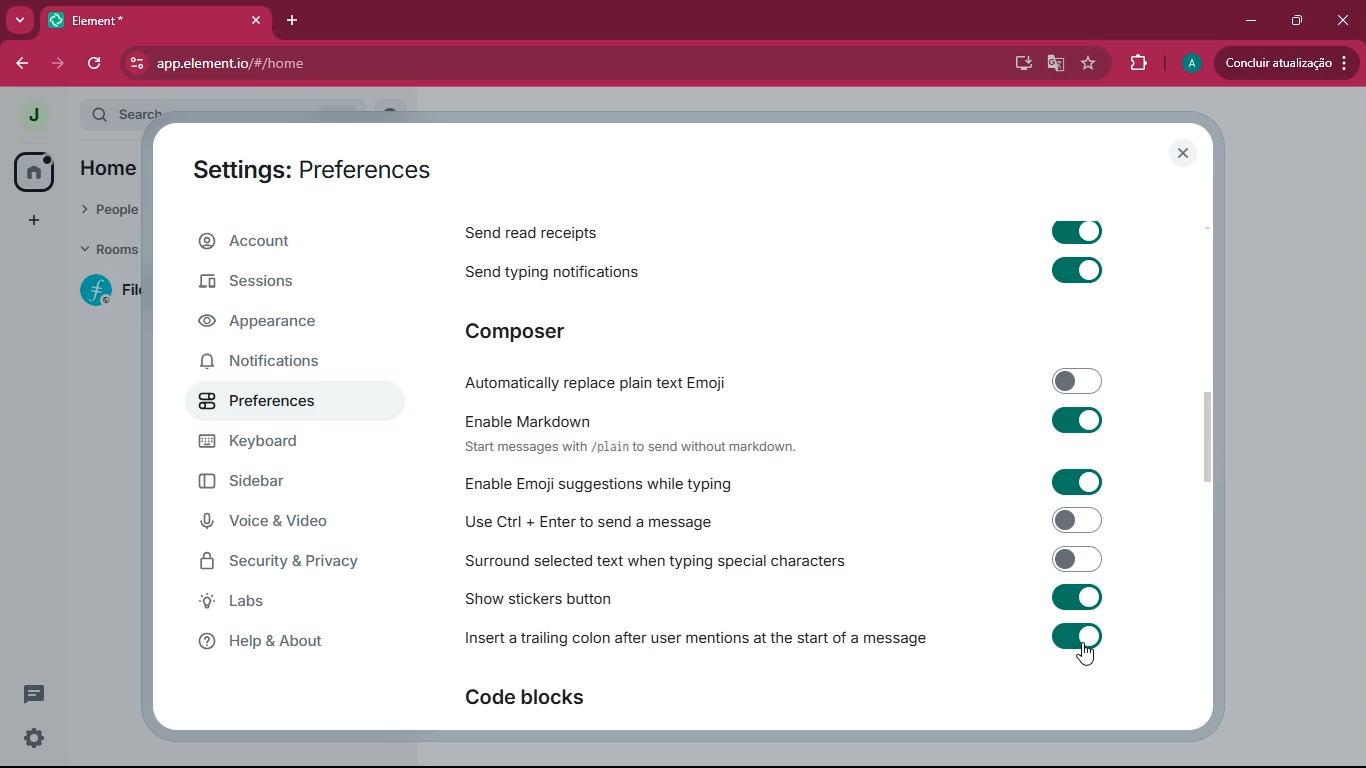 This screenshot has height=768, width=1366. What do you see at coordinates (102, 63) in the screenshot?
I see `refresh` at bounding box center [102, 63].